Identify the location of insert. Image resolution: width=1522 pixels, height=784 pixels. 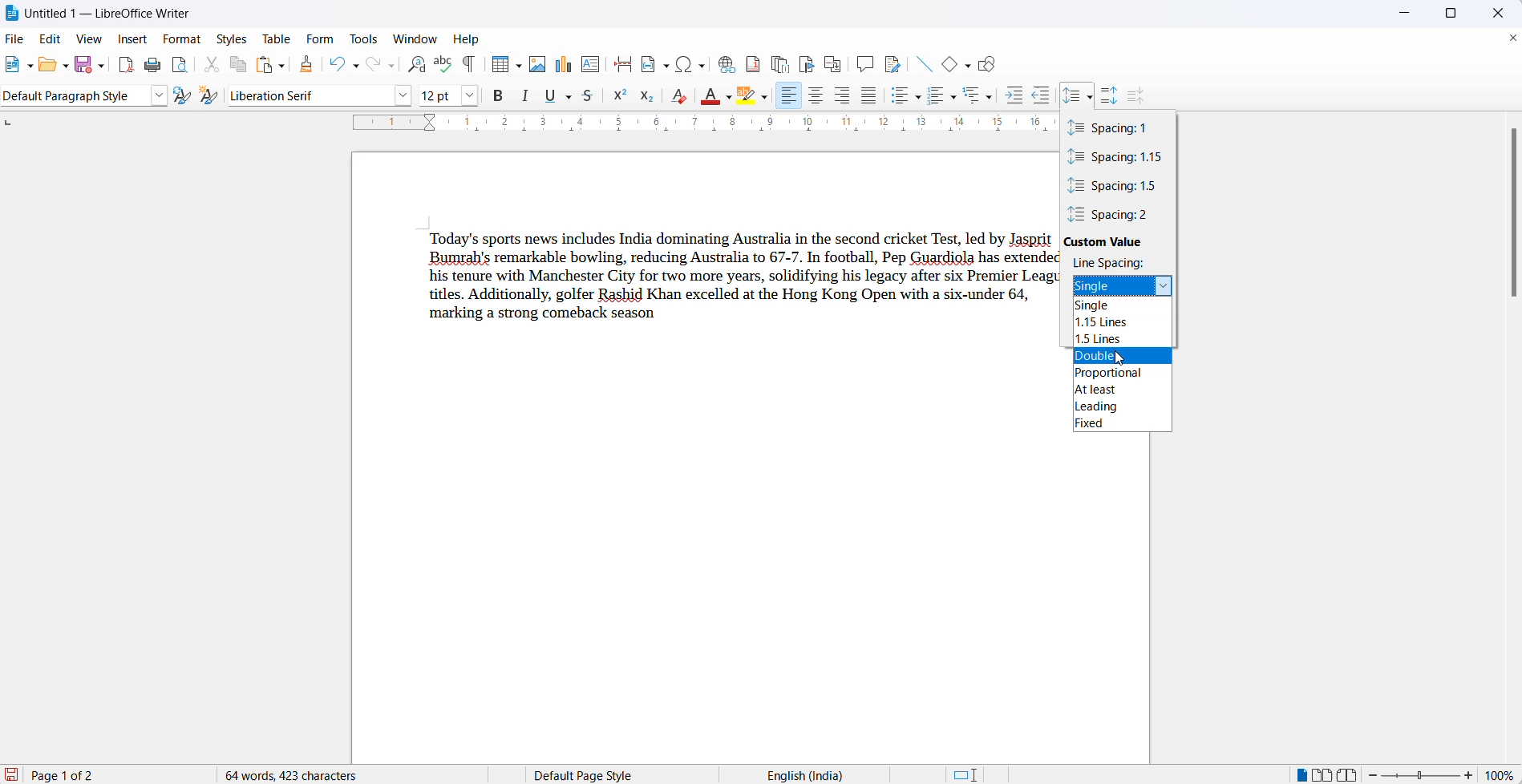
(134, 38).